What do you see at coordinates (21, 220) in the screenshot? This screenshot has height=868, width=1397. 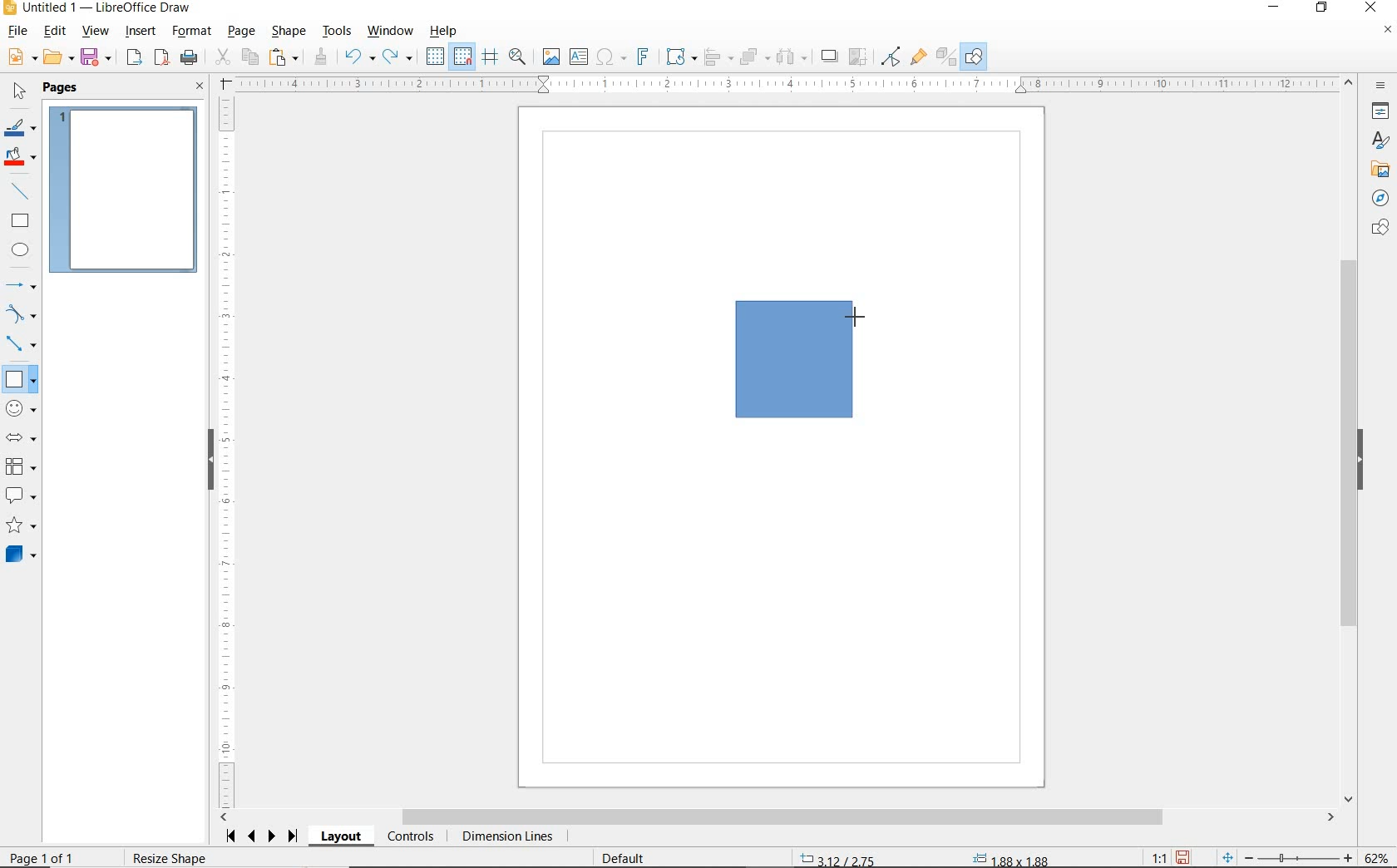 I see `RECTANGLE` at bounding box center [21, 220].